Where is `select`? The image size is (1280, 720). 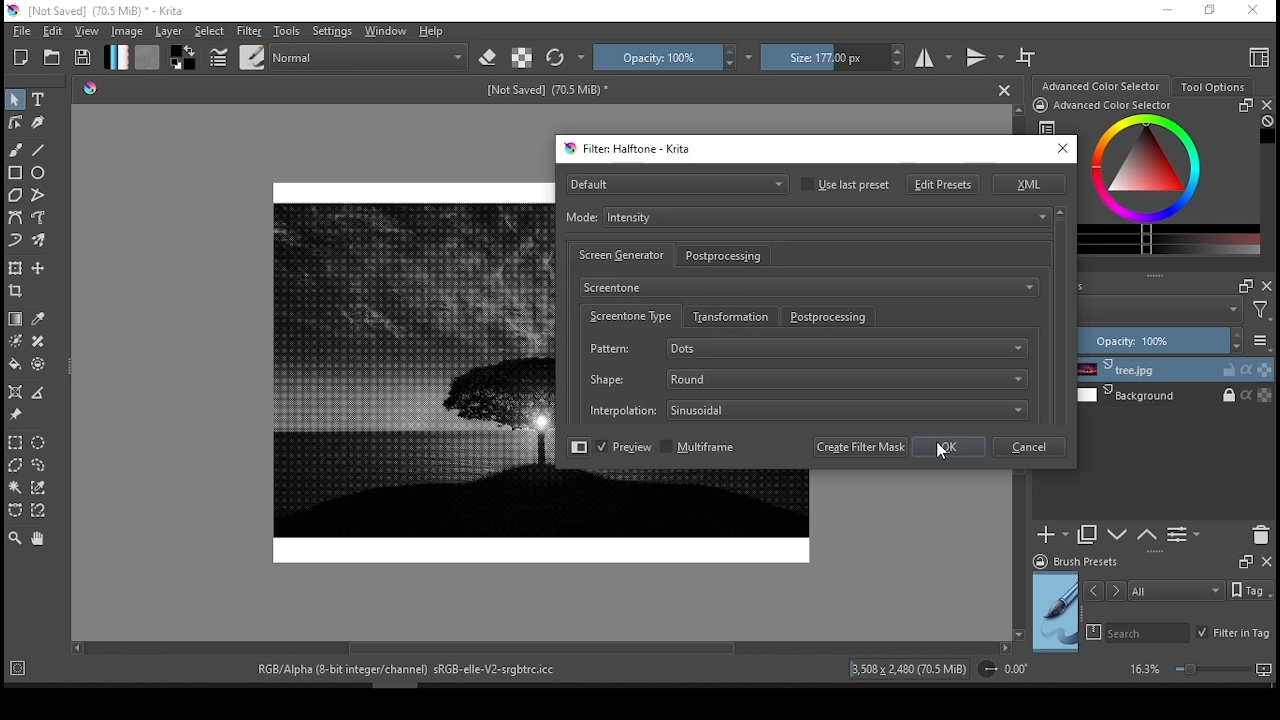 select is located at coordinates (212, 32).